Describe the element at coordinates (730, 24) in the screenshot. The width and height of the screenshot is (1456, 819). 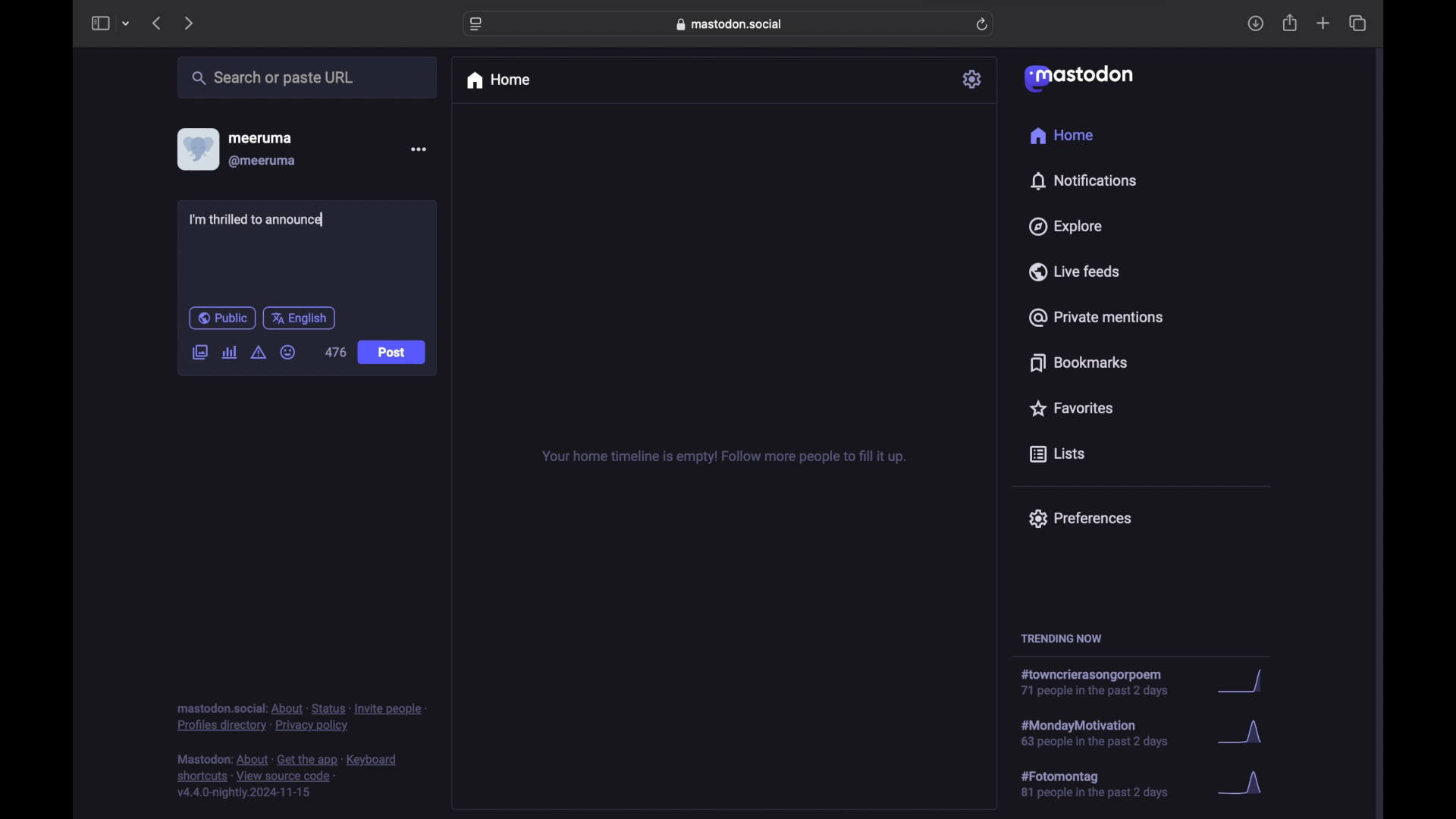
I see `web address` at that location.